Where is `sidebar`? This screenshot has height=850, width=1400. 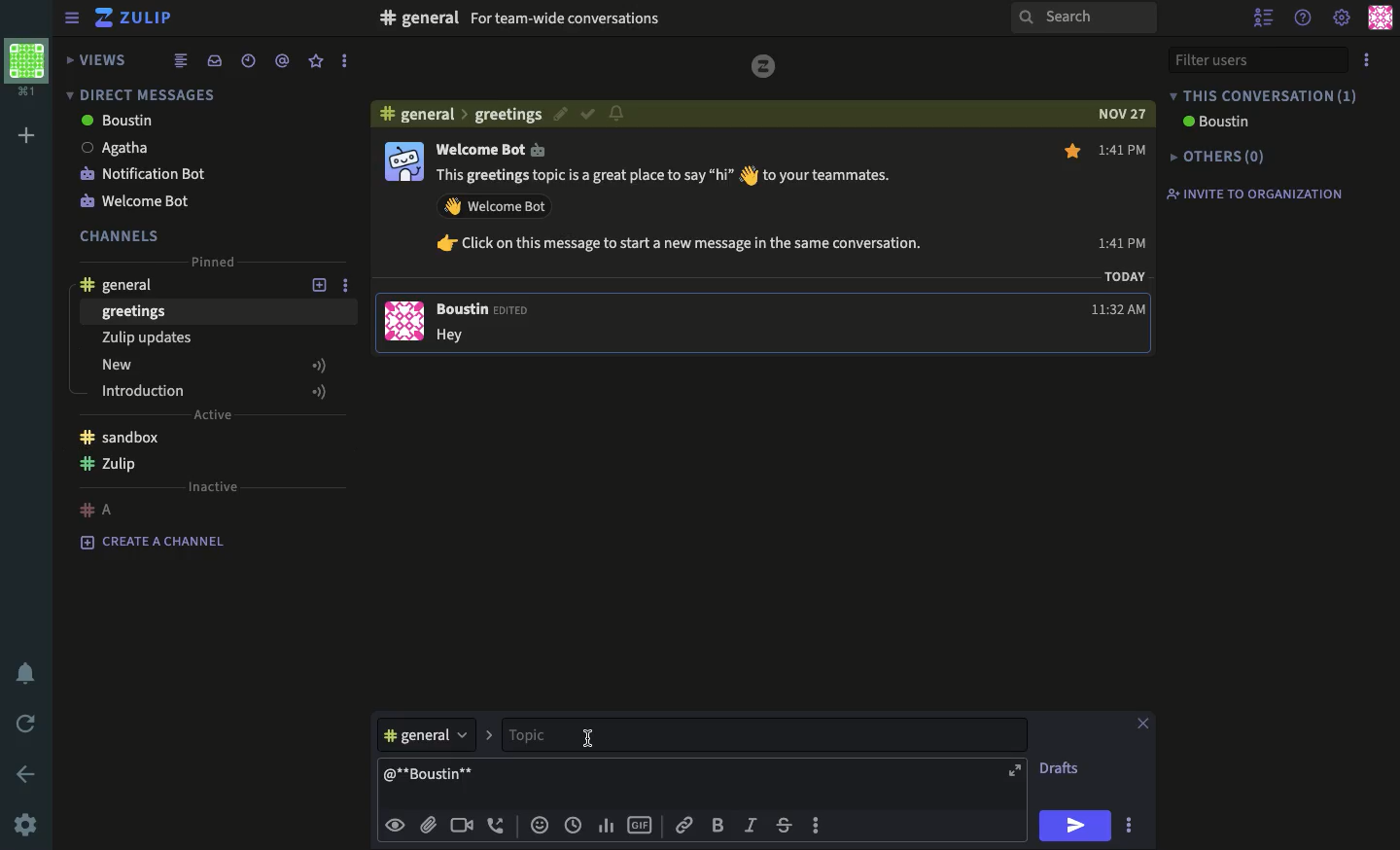
sidebar is located at coordinates (72, 19).